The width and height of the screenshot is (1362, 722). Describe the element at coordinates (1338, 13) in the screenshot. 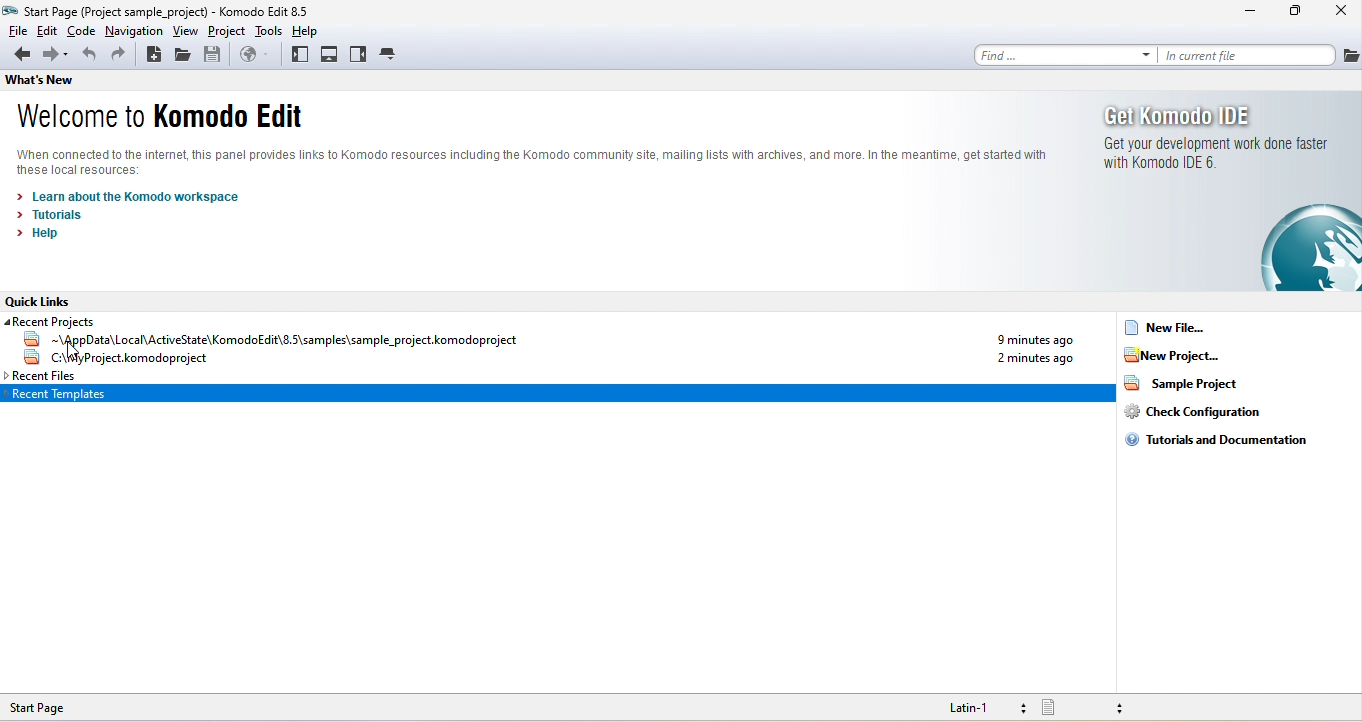

I see `close` at that location.